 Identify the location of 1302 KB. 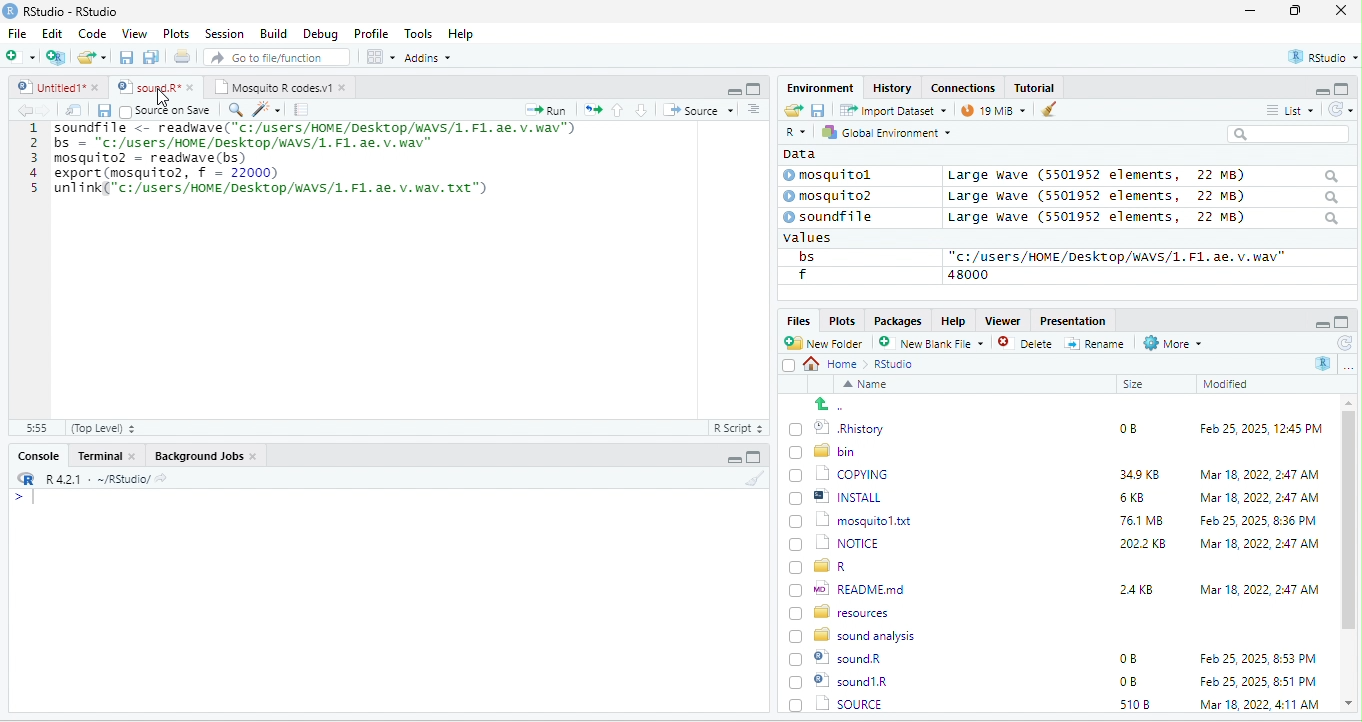
(1145, 704).